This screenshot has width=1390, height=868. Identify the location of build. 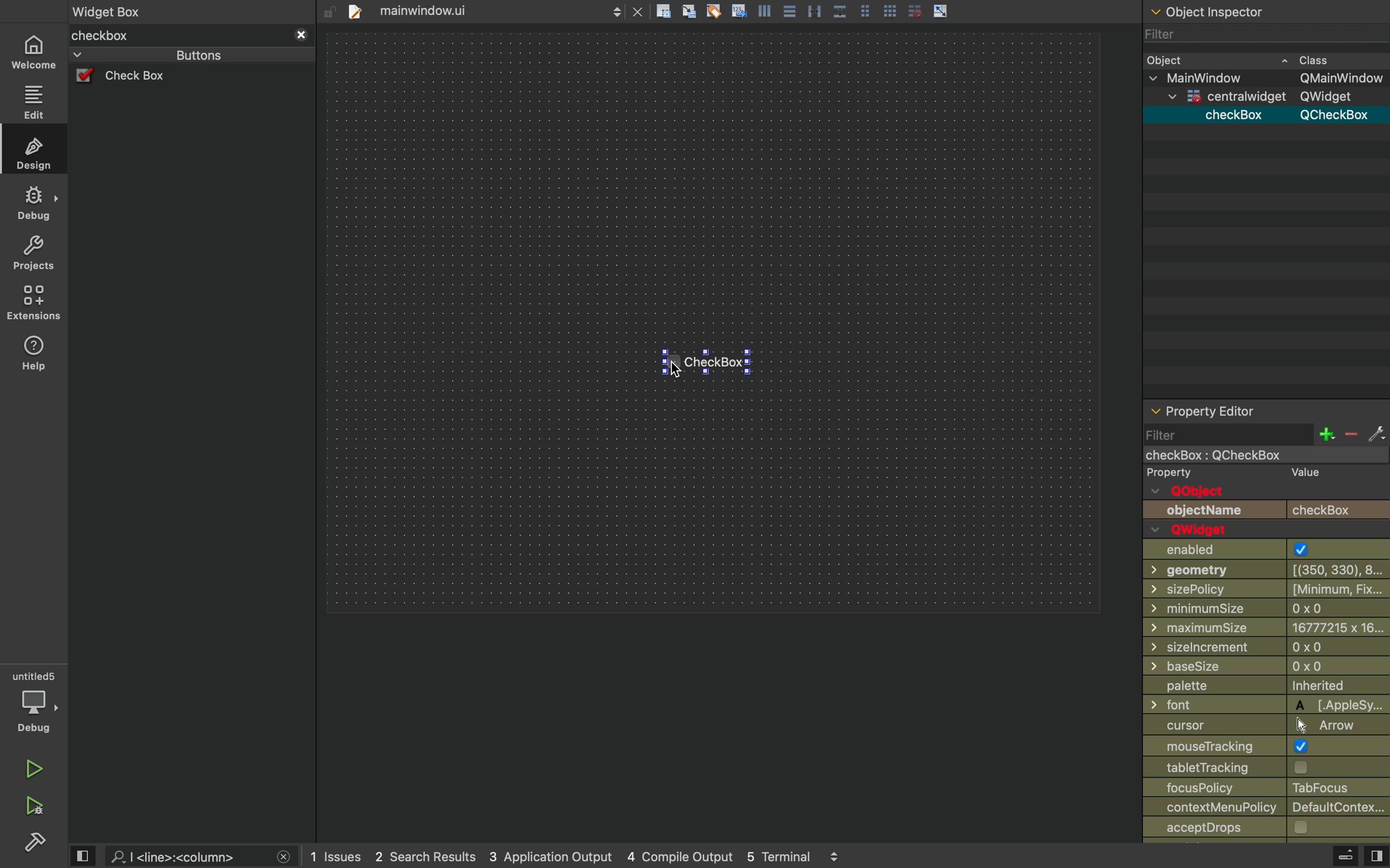
(34, 846).